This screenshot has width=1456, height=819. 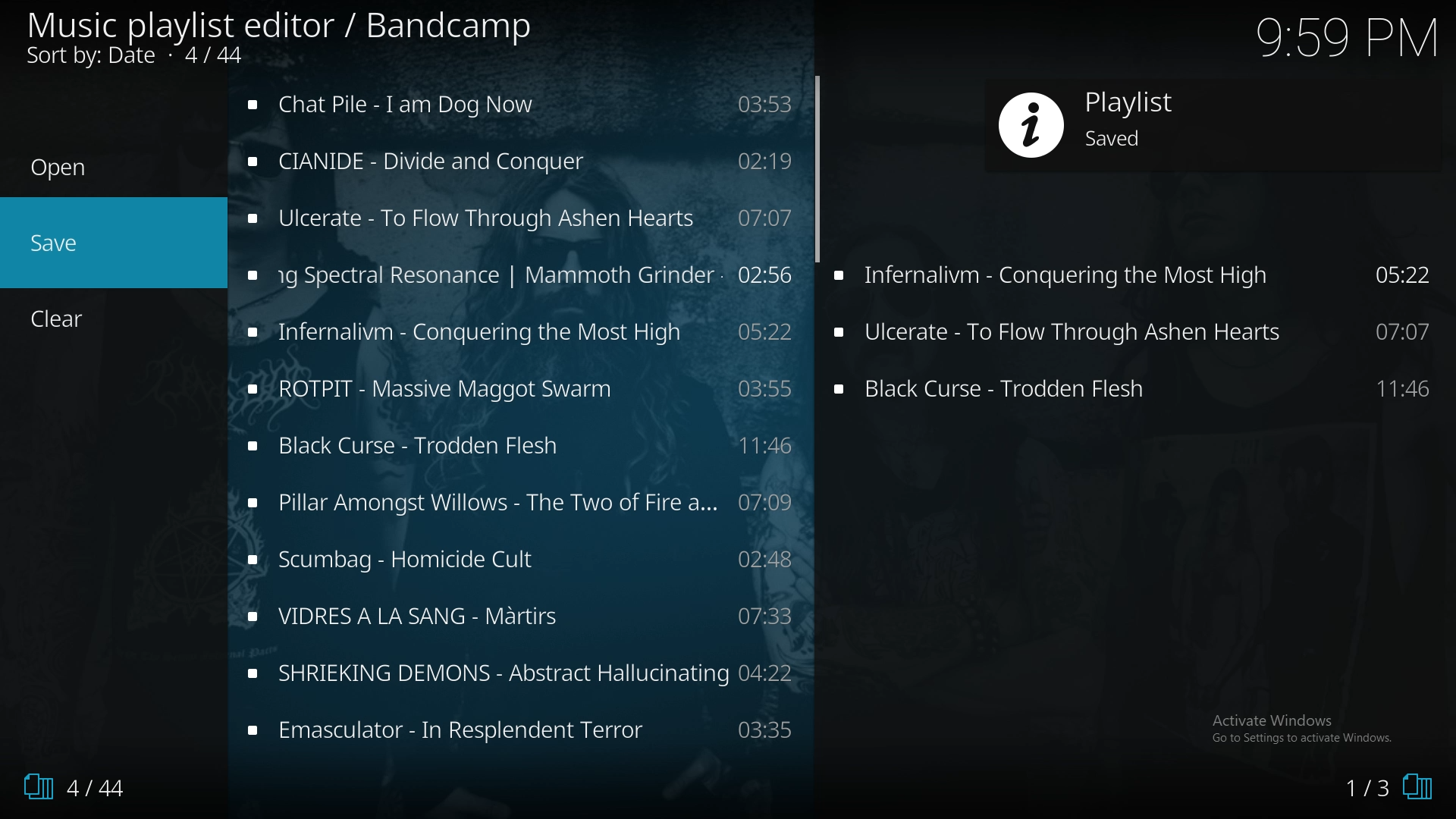 I want to click on music, so click(x=517, y=387).